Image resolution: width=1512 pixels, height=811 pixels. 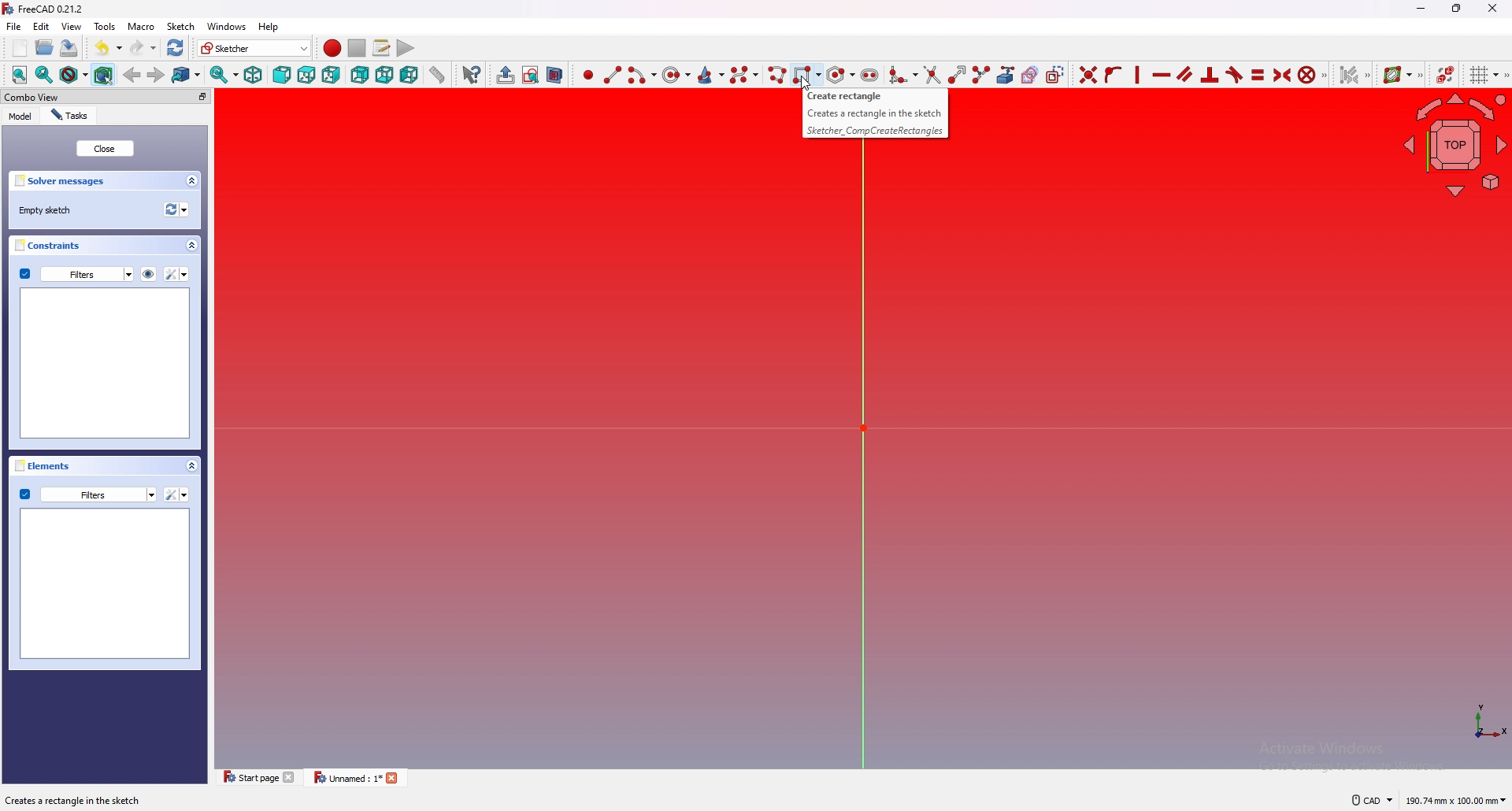 What do you see at coordinates (156, 76) in the screenshot?
I see `forward` at bounding box center [156, 76].